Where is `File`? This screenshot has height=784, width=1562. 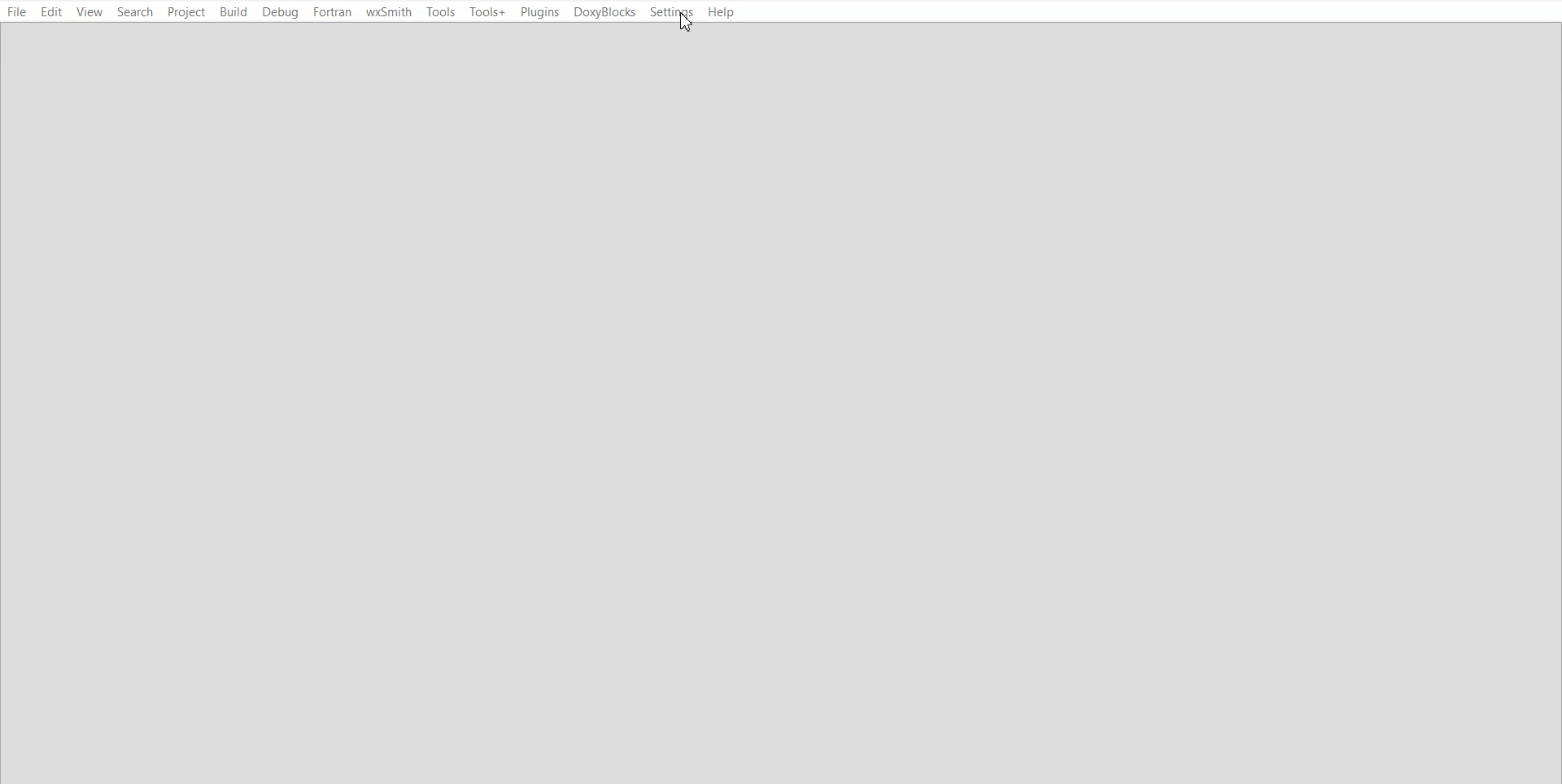 File is located at coordinates (17, 13).